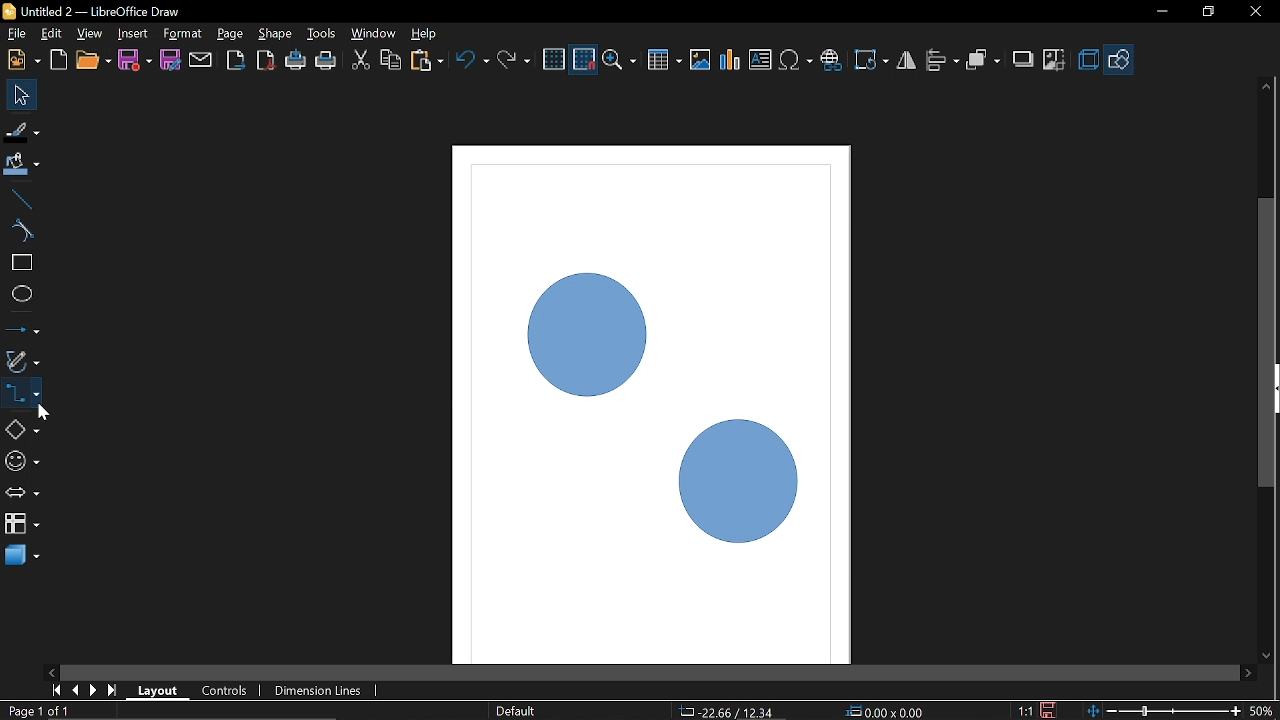  What do you see at coordinates (275, 34) in the screenshot?
I see `Shape` at bounding box center [275, 34].